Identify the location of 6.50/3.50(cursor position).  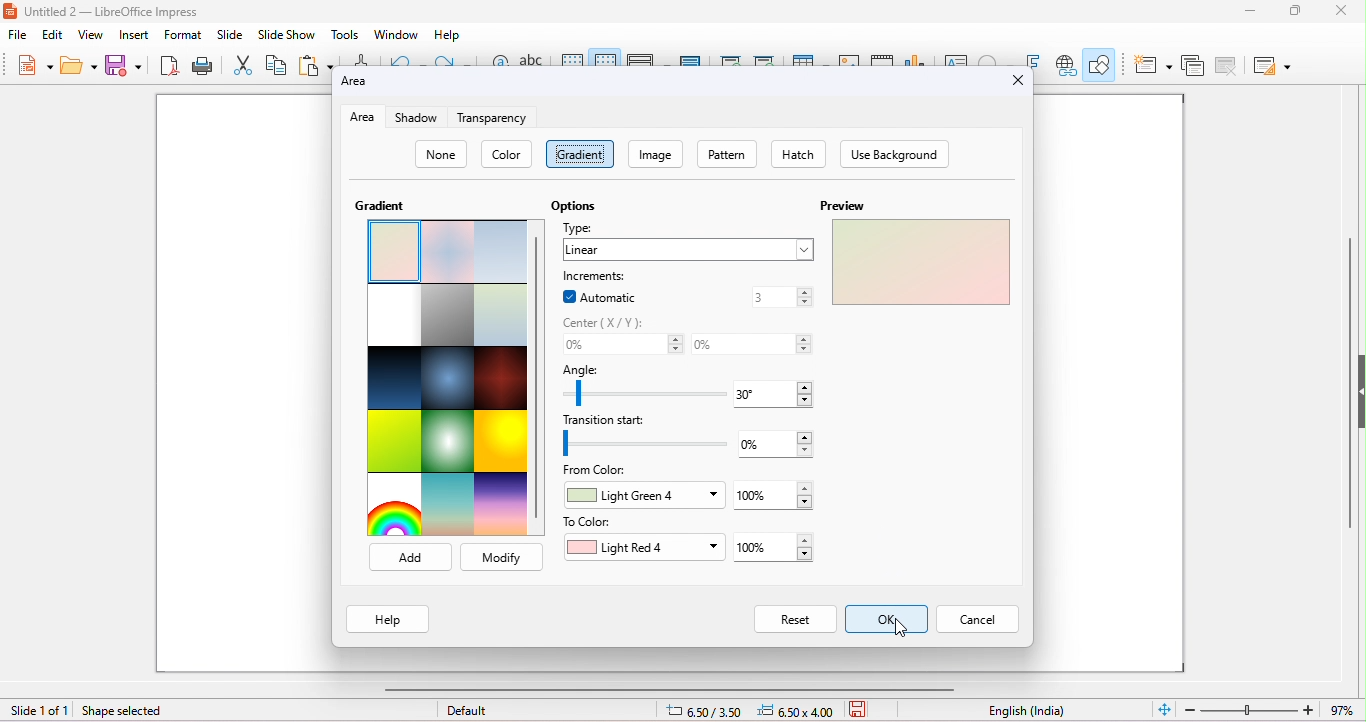
(708, 712).